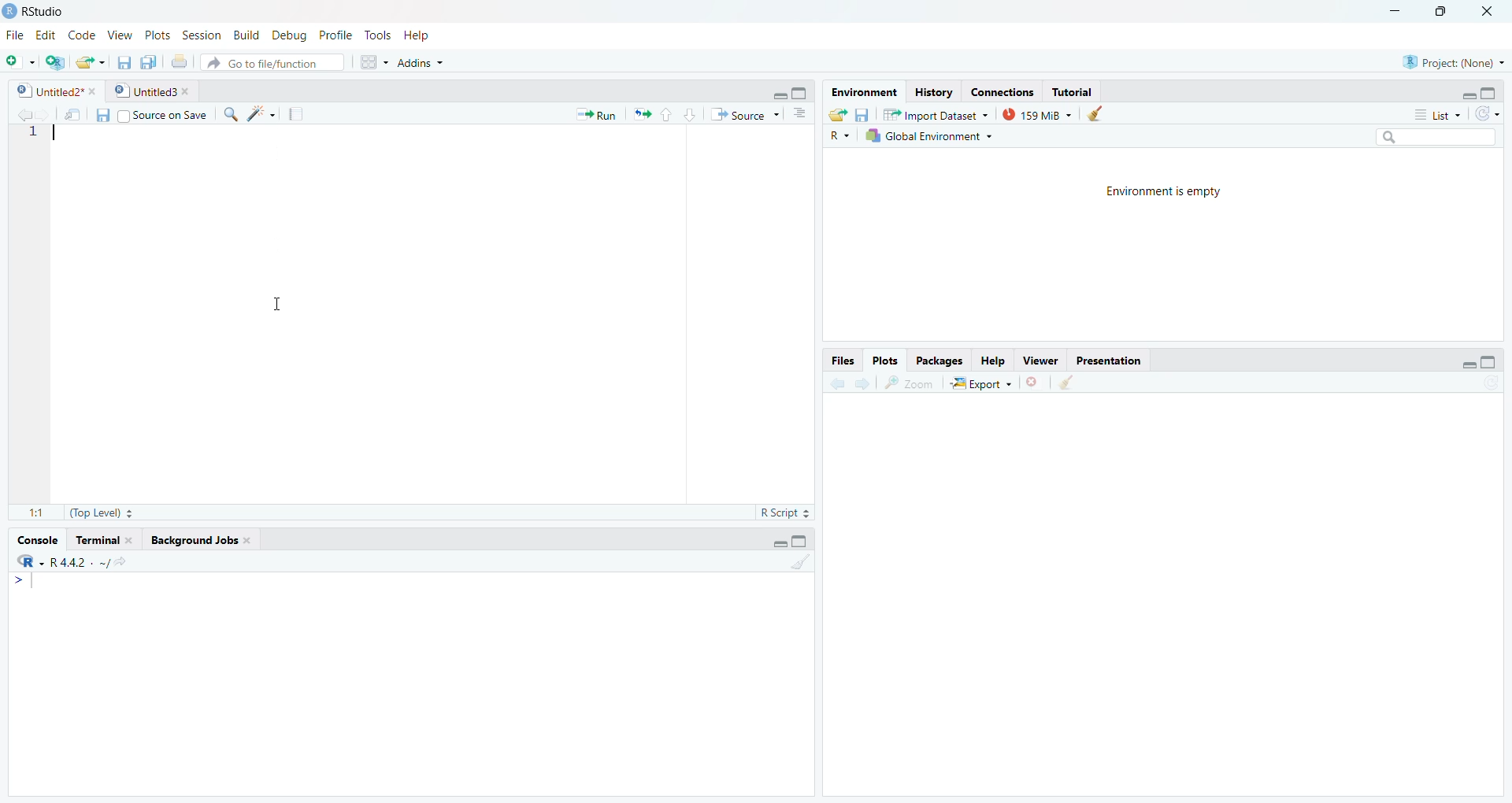 The height and width of the screenshot is (803, 1512). I want to click on Back, so click(18, 116).